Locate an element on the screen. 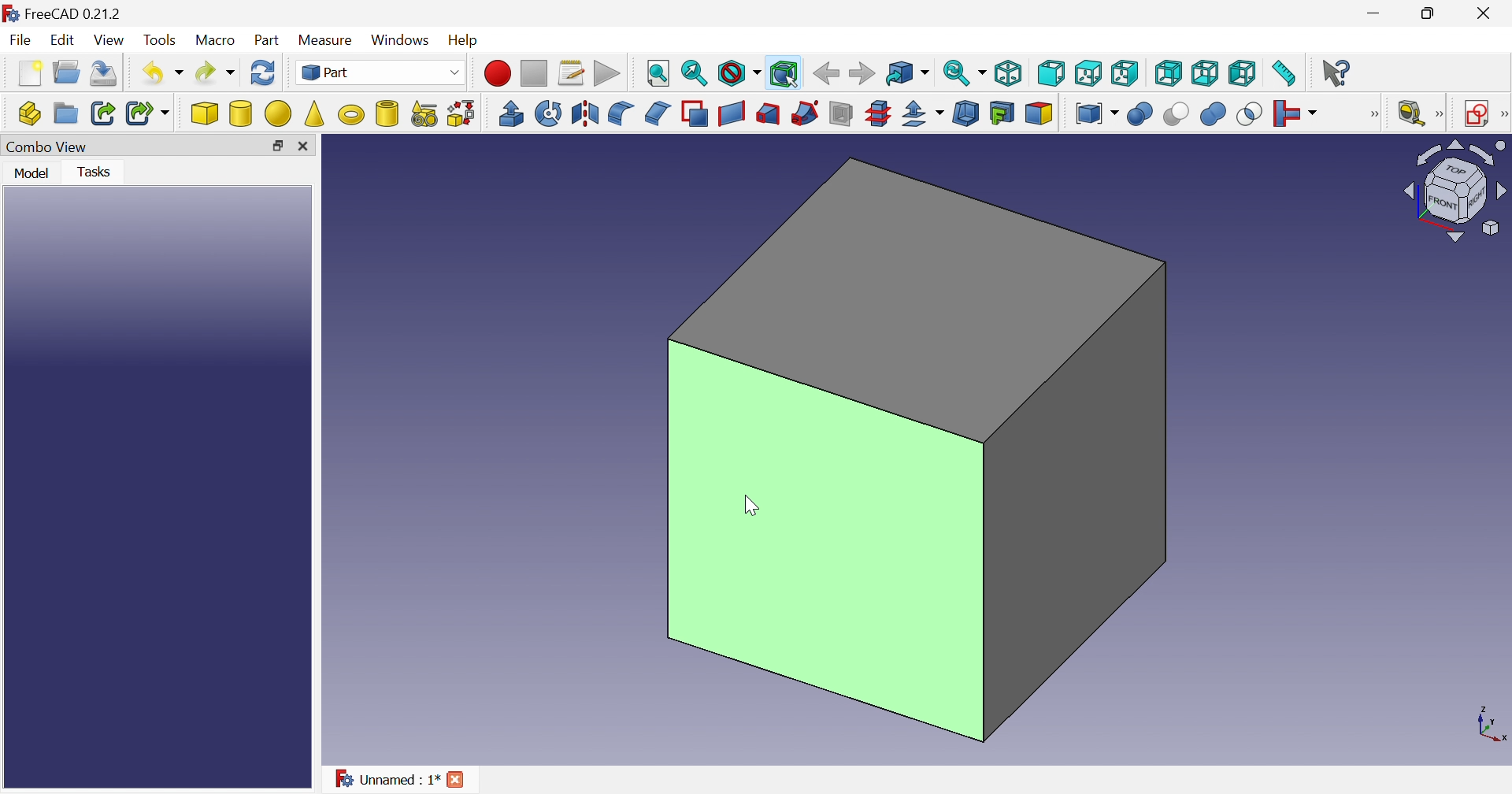 This screenshot has height=794, width=1512. Fillet... is located at coordinates (621, 113).